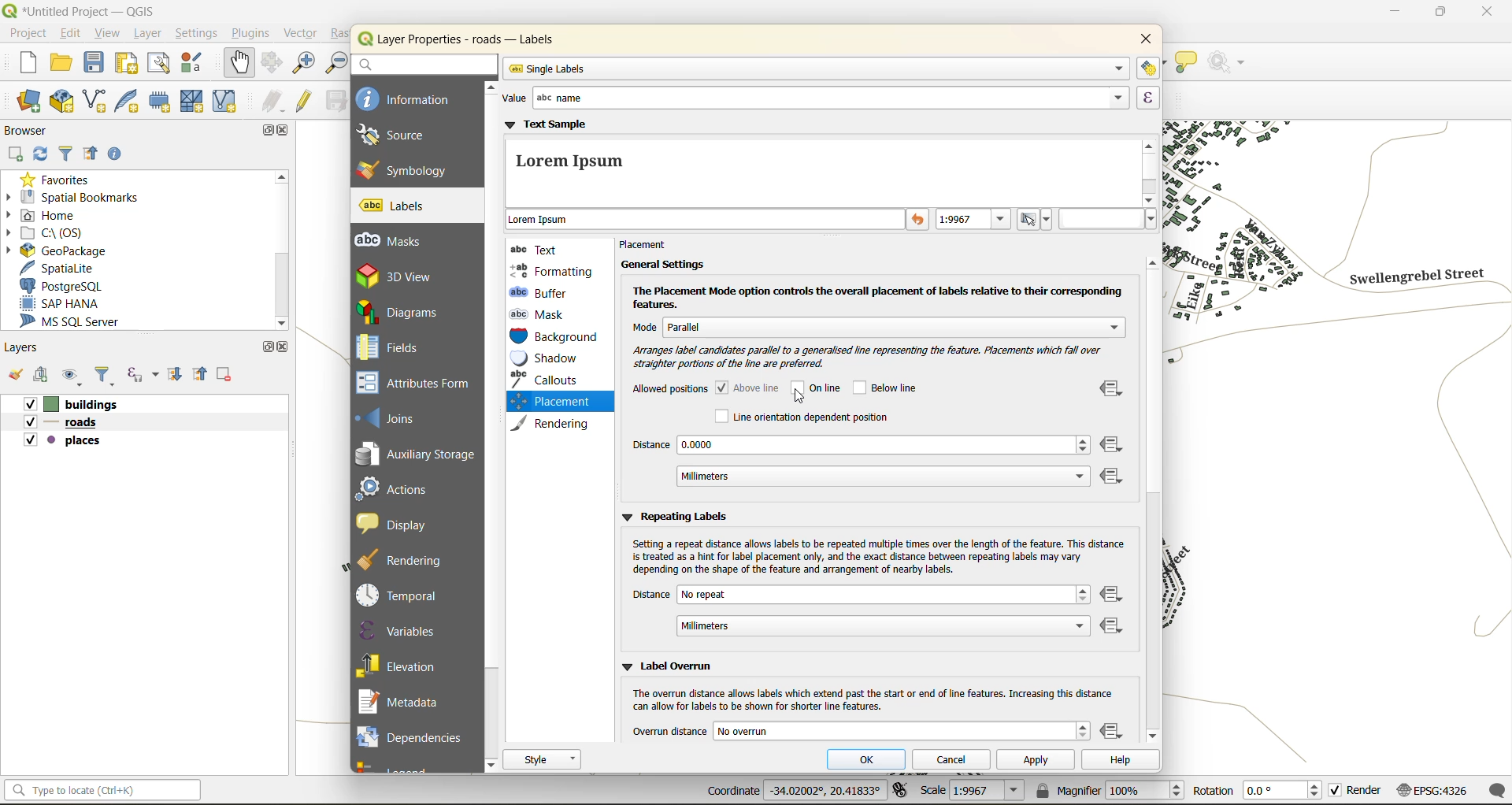 The height and width of the screenshot is (805, 1512). I want to click on scale, so click(973, 792).